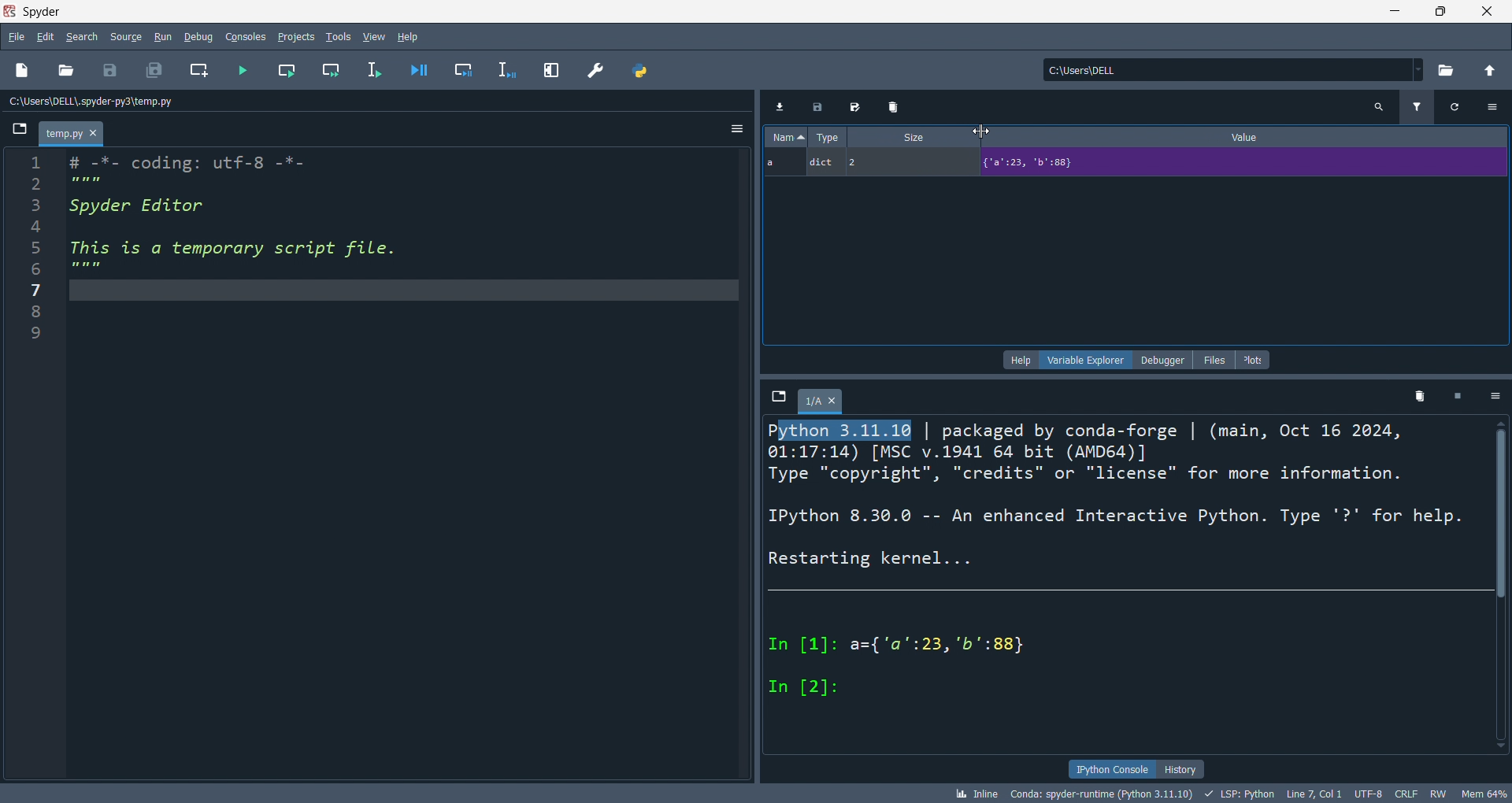 This screenshot has width=1512, height=803. What do you see at coordinates (1446, 11) in the screenshot?
I see `maximize` at bounding box center [1446, 11].